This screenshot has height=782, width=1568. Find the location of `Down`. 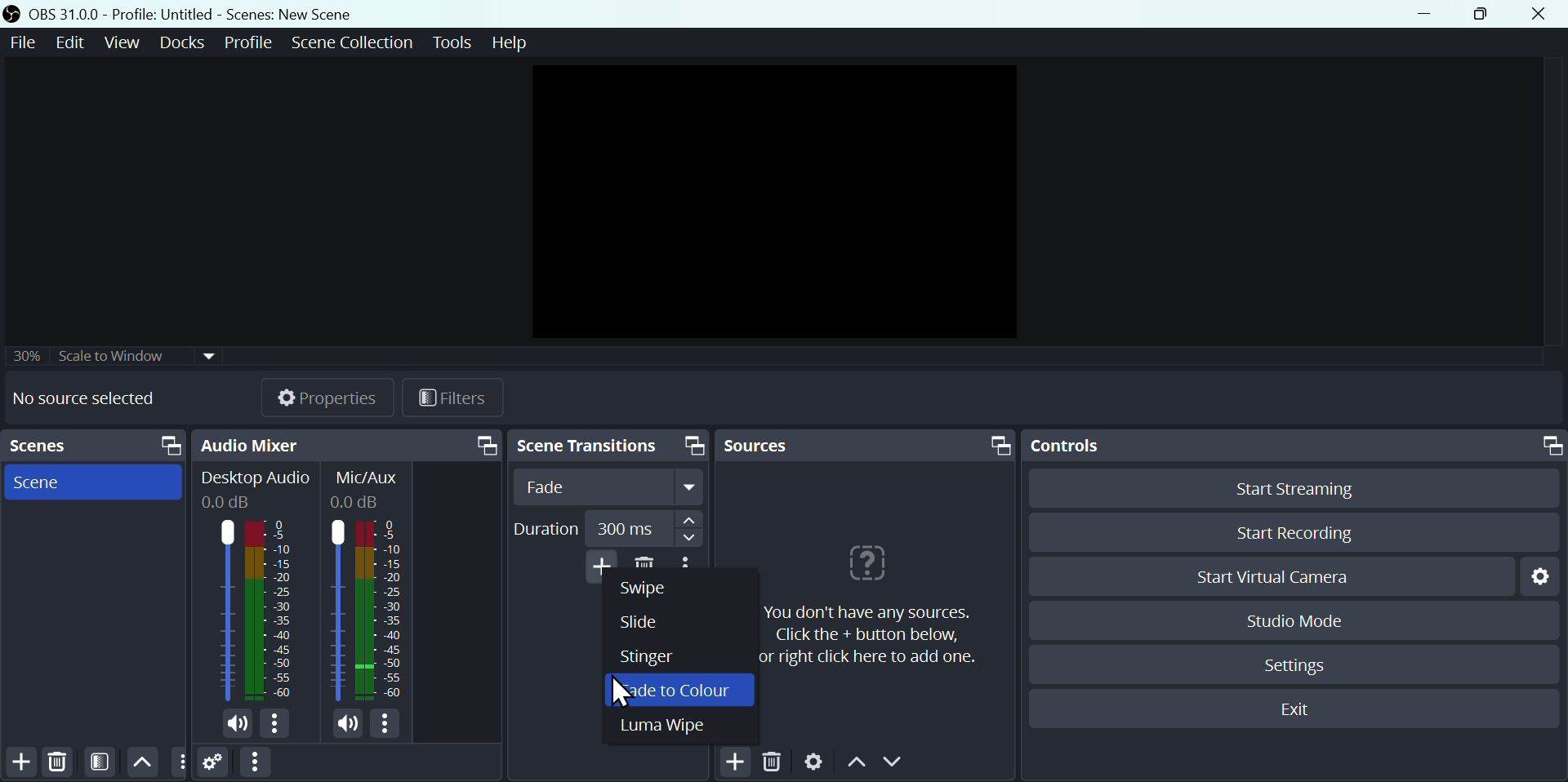

Down is located at coordinates (899, 764).